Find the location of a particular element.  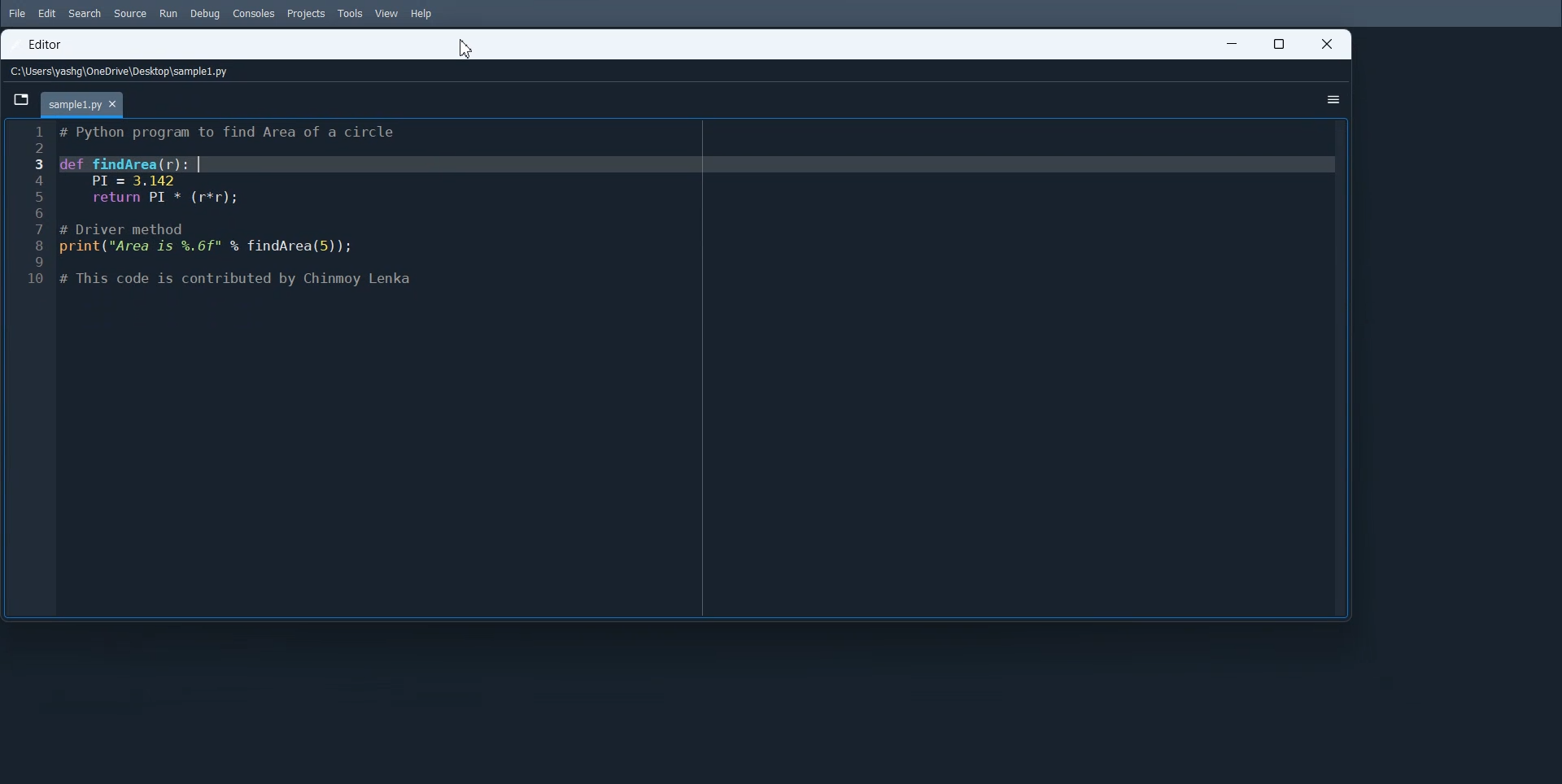

Minimize is located at coordinates (1225, 46).